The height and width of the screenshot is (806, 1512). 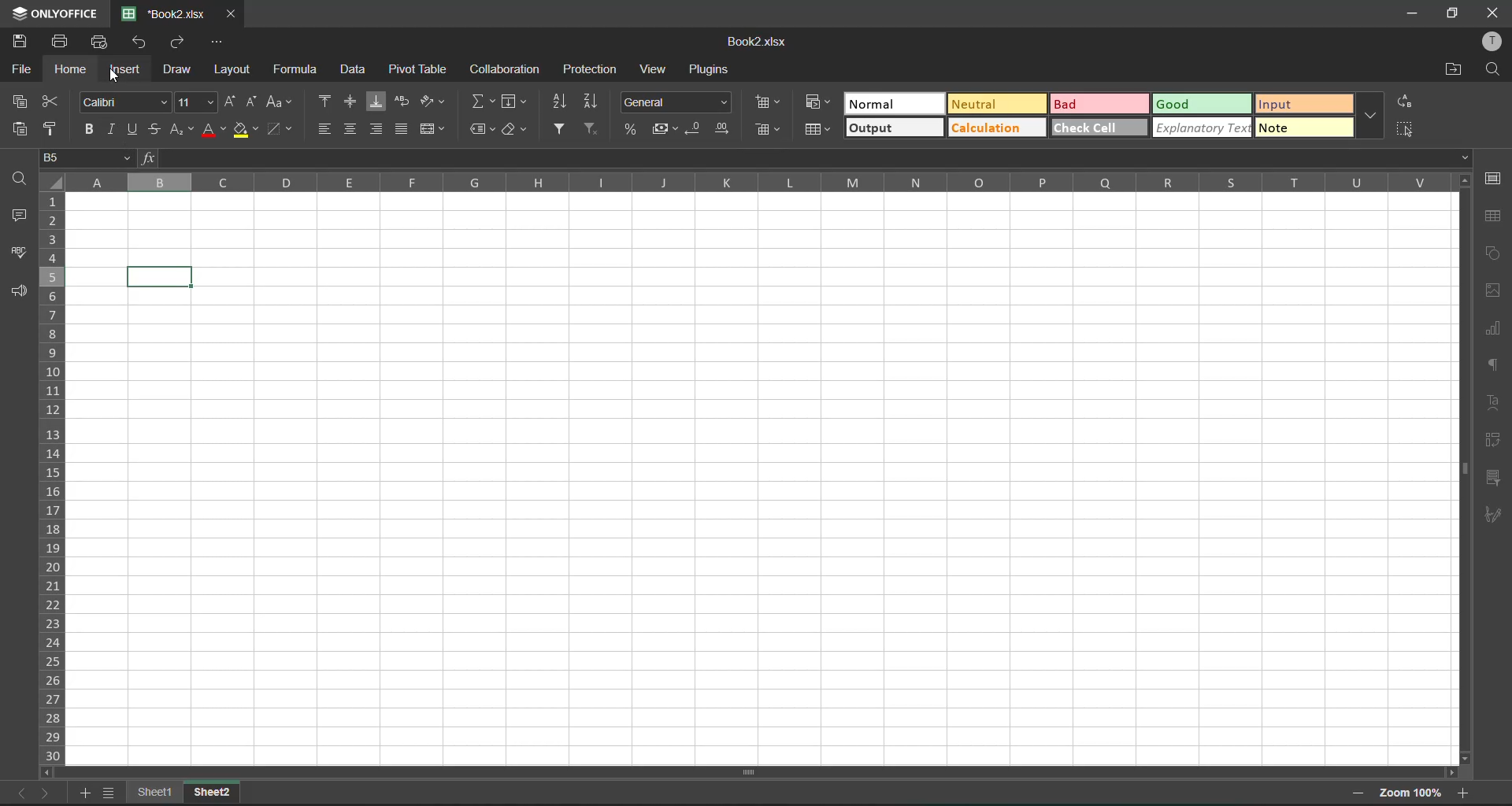 I want to click on next, so click(x=48, y=792).